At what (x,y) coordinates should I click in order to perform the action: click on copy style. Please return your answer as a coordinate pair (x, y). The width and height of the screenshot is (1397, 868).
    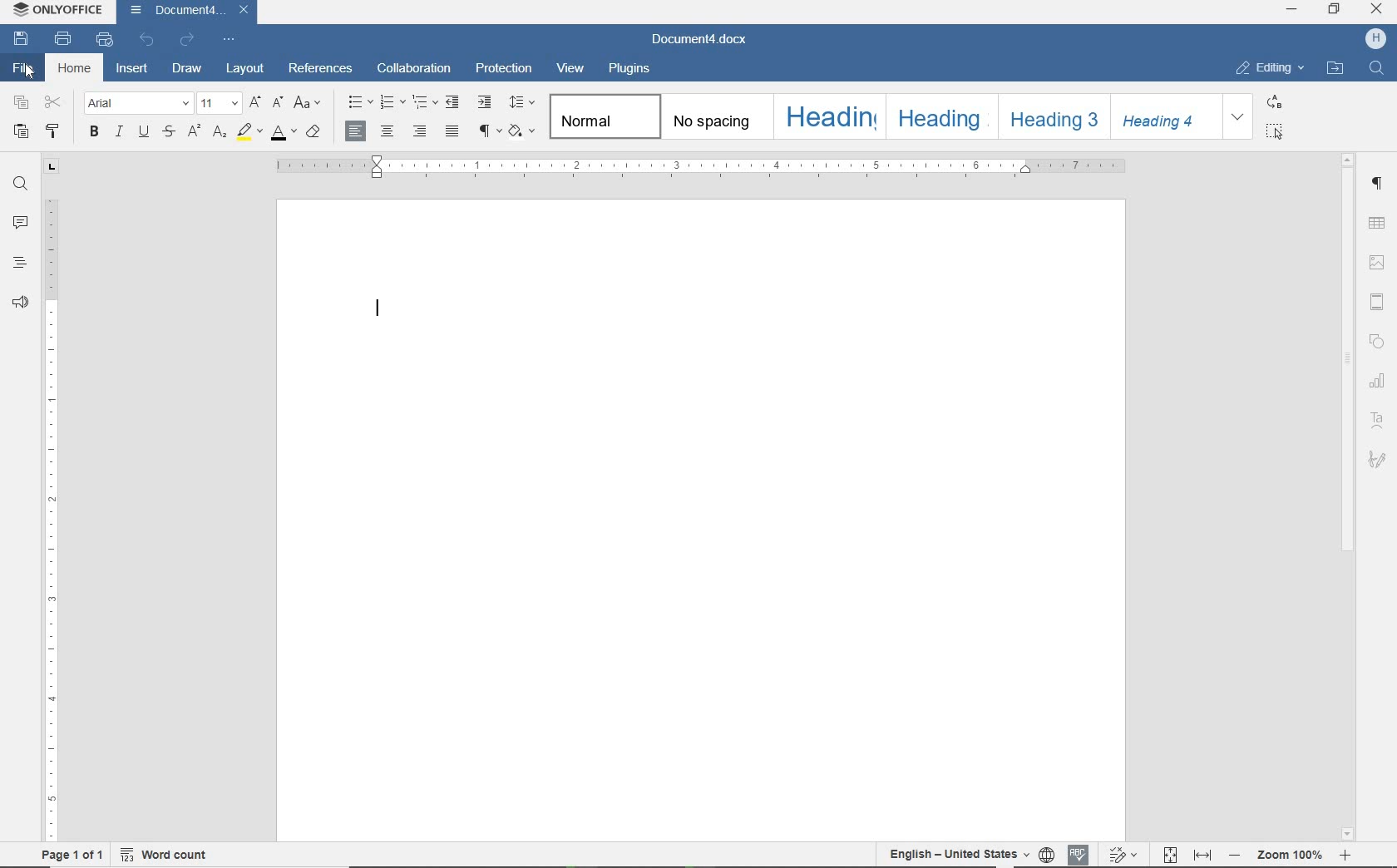
    Looking at the image, I should click on (55, 133).